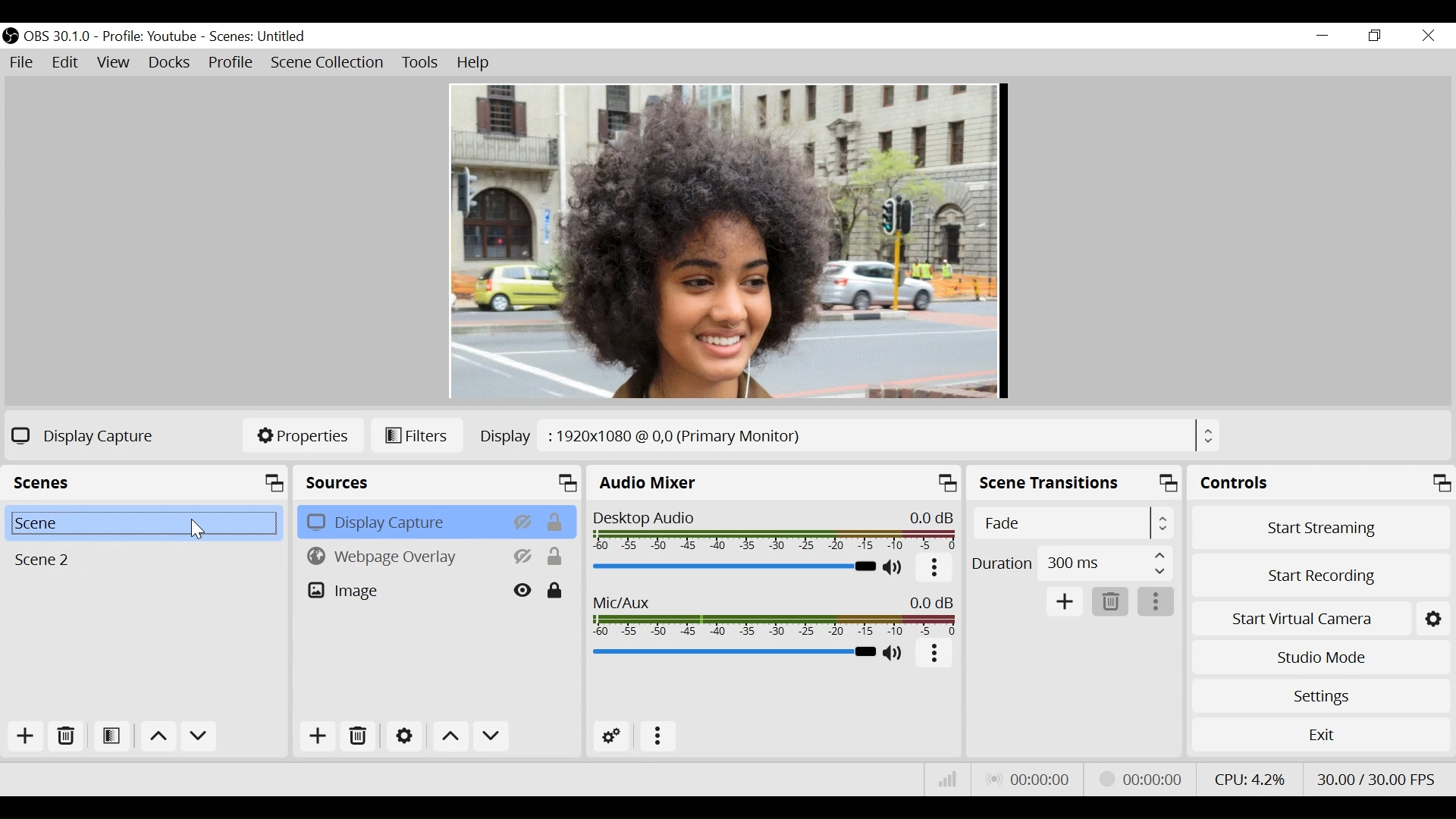  Describe the element at coordinates (302, 436) in the screenshot. I see `Properties` at that location.